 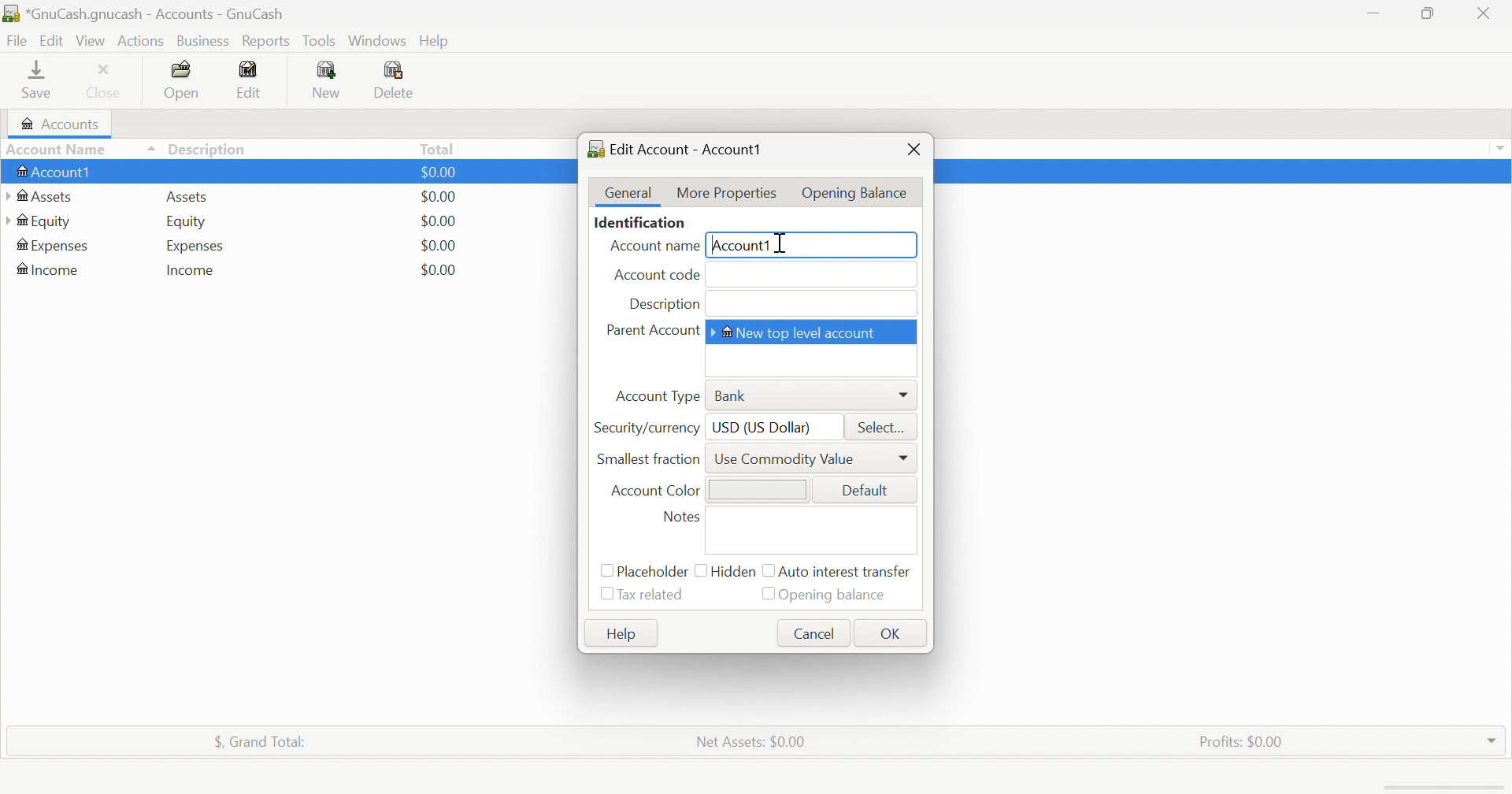 I want to click on $0.00, so click(x=439, y=171).